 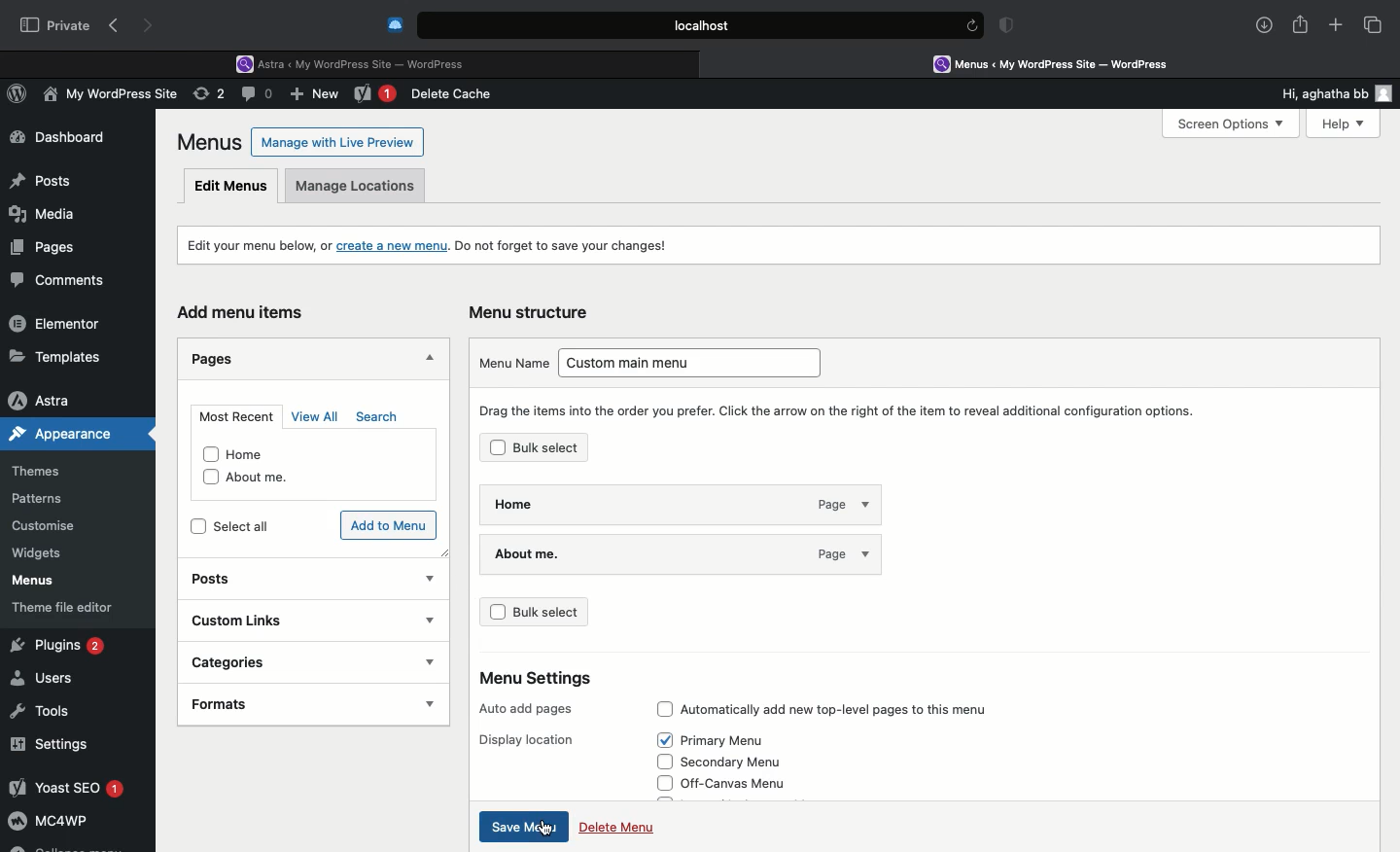 I want to click on Off-canvas menu, so click(x=750, y=783).